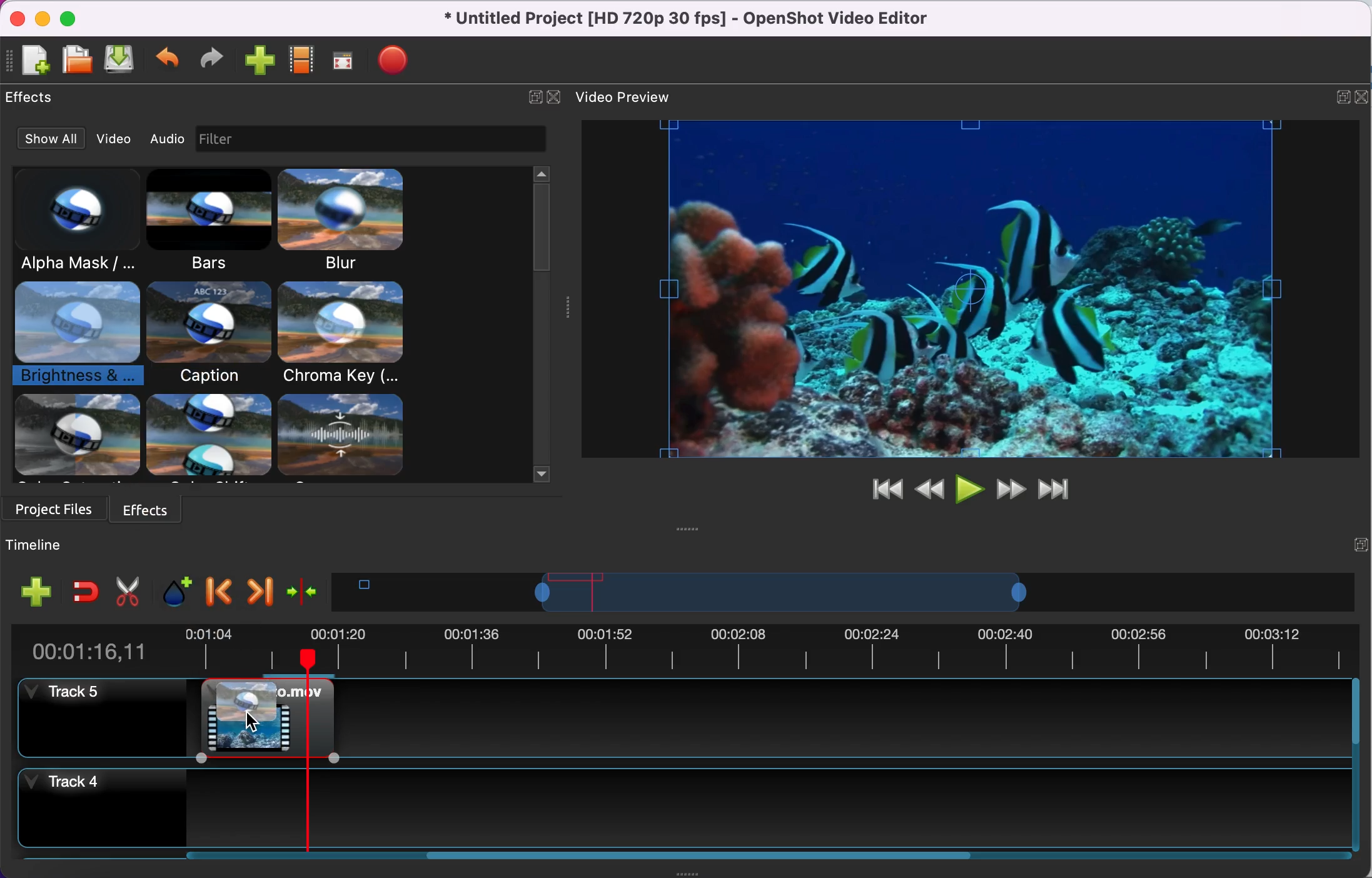  I want to click on title - • Untitled Project [HD 720p 30 fps] - OpenShot Video Editor, so click(680, 19).